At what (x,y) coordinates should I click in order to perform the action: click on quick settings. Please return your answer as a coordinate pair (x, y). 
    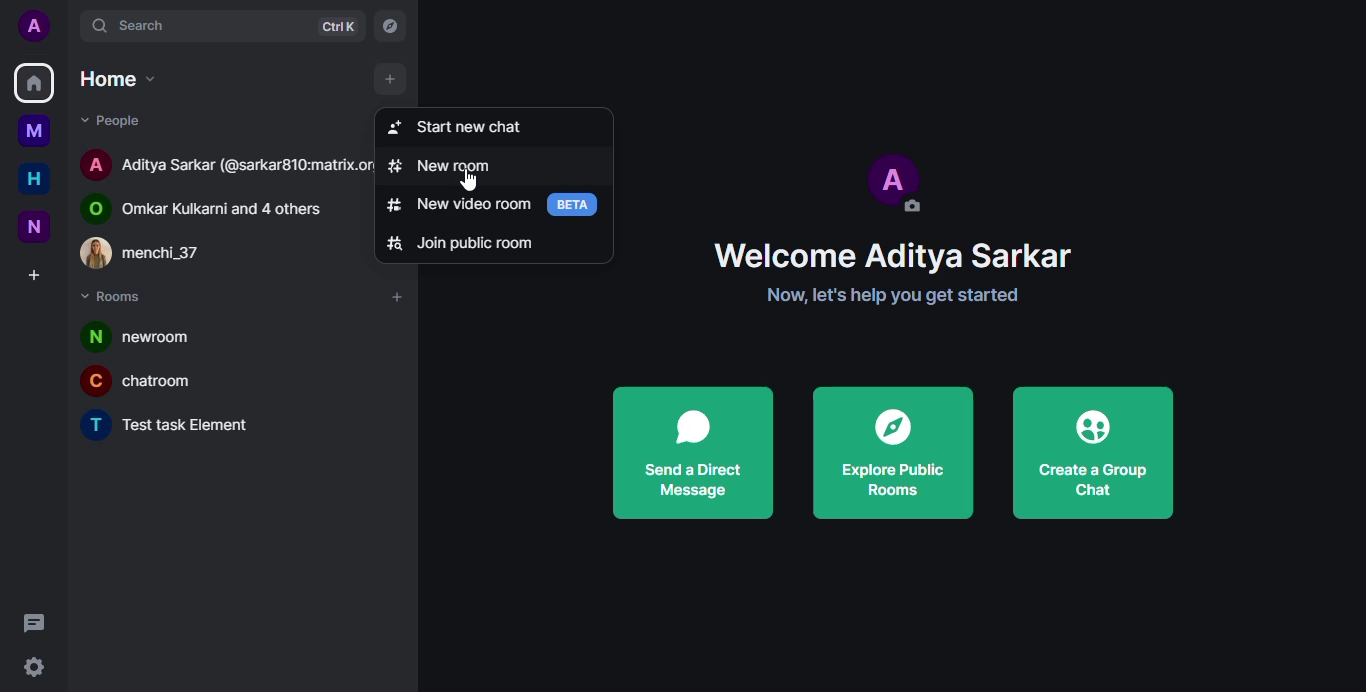
    Looking at the image, I should click on (31, 667).